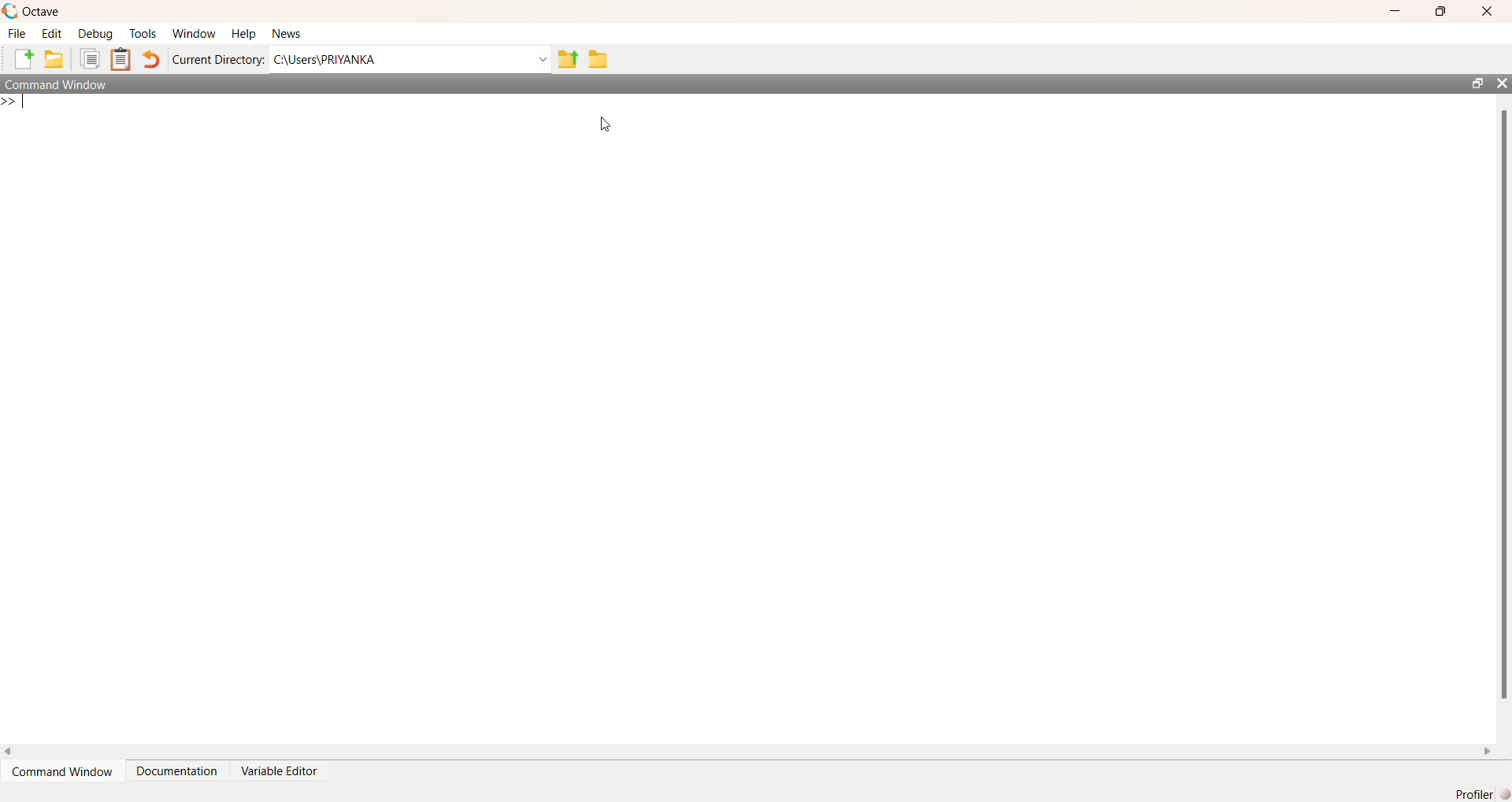 This screenshot has width=1512, height=802. What do you see at coordinates (120, 59) in the screenshot?
I see `document clipboard` at bounding box center [120, 59].